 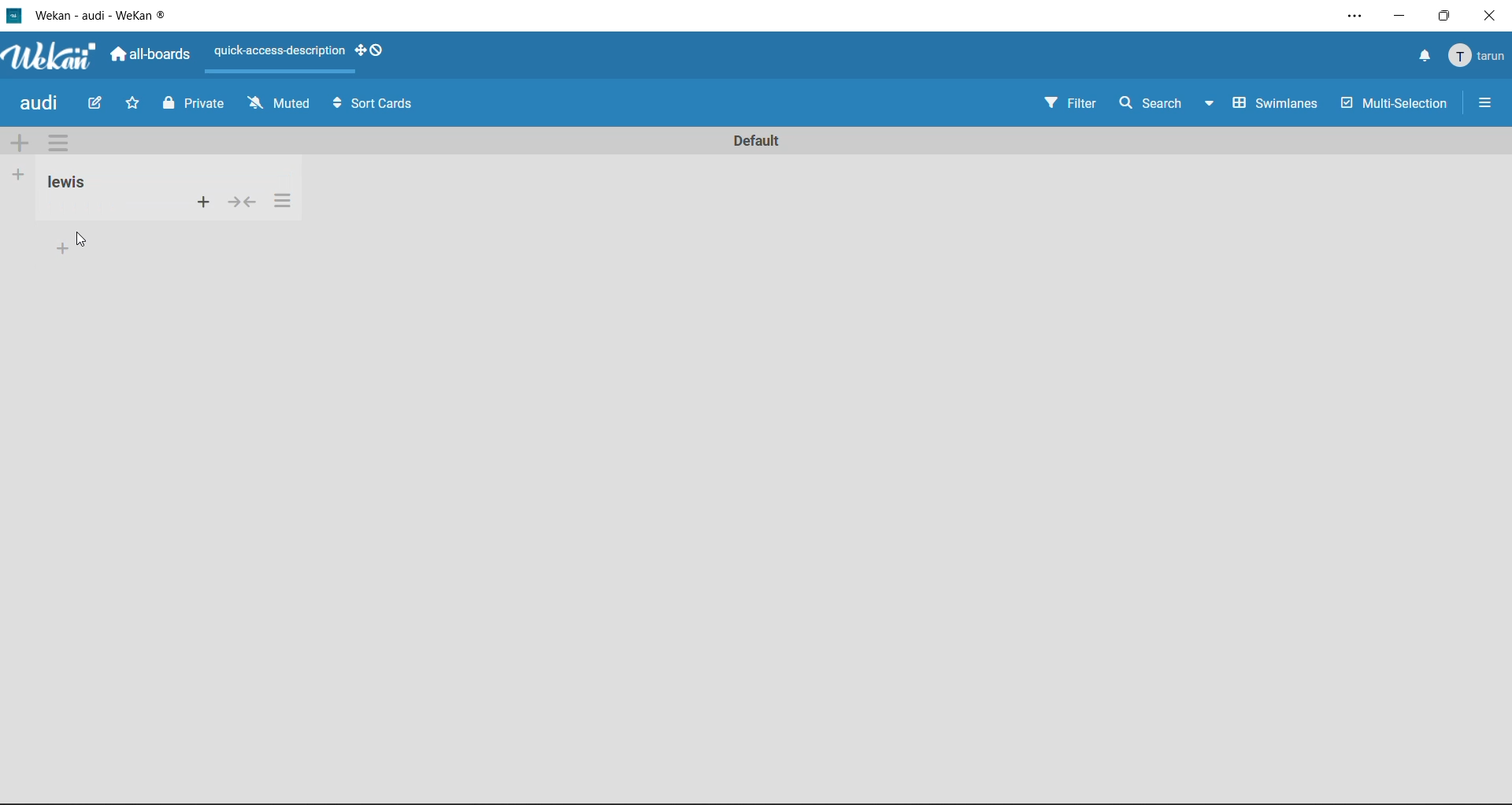 What do you see at coordinates (373, 54) in the screenshot?
I see `show desktop drag handles` at bounding box center [373, 54].